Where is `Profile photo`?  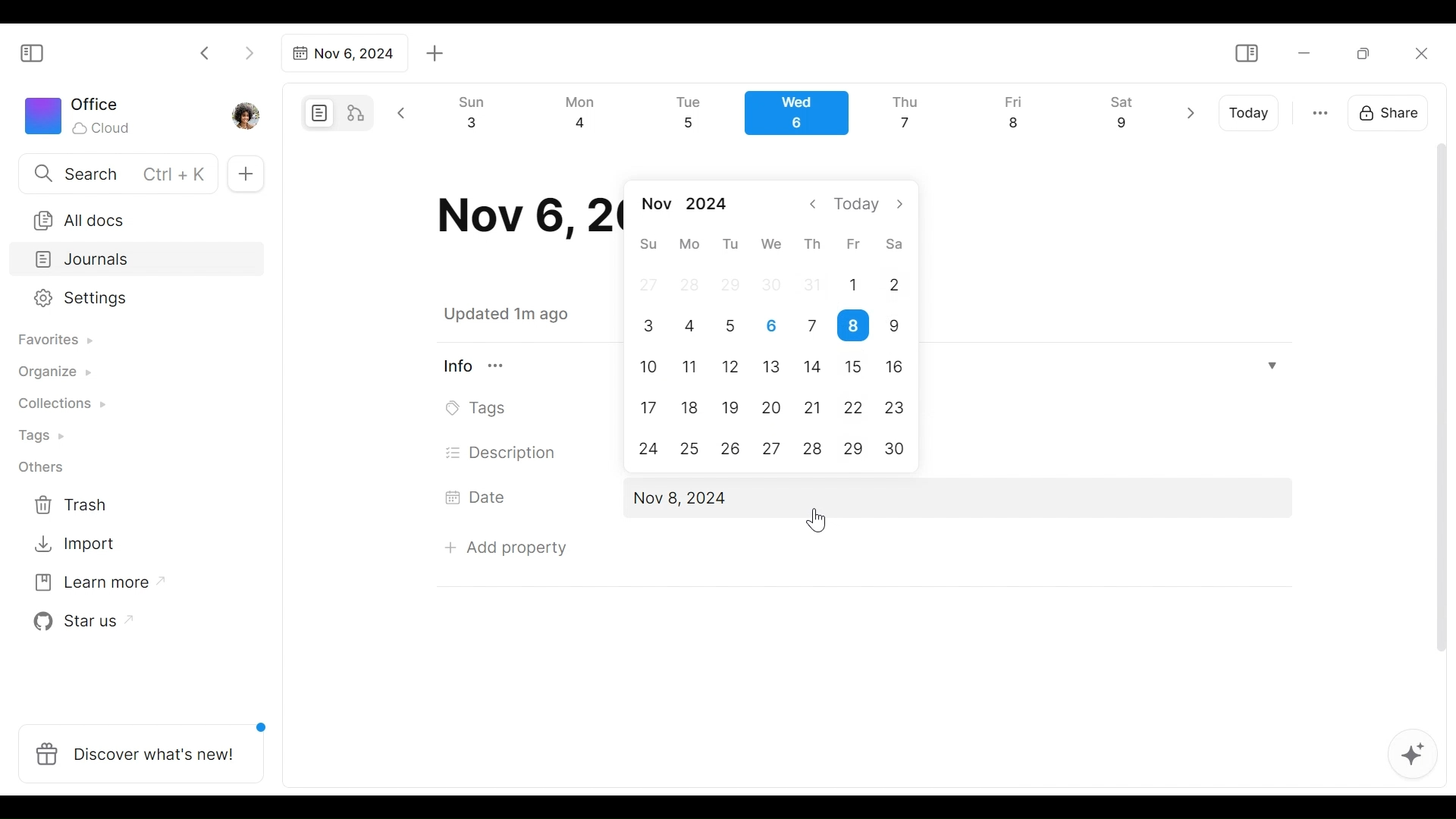 Profile photo is located at coordinates (247, 112).